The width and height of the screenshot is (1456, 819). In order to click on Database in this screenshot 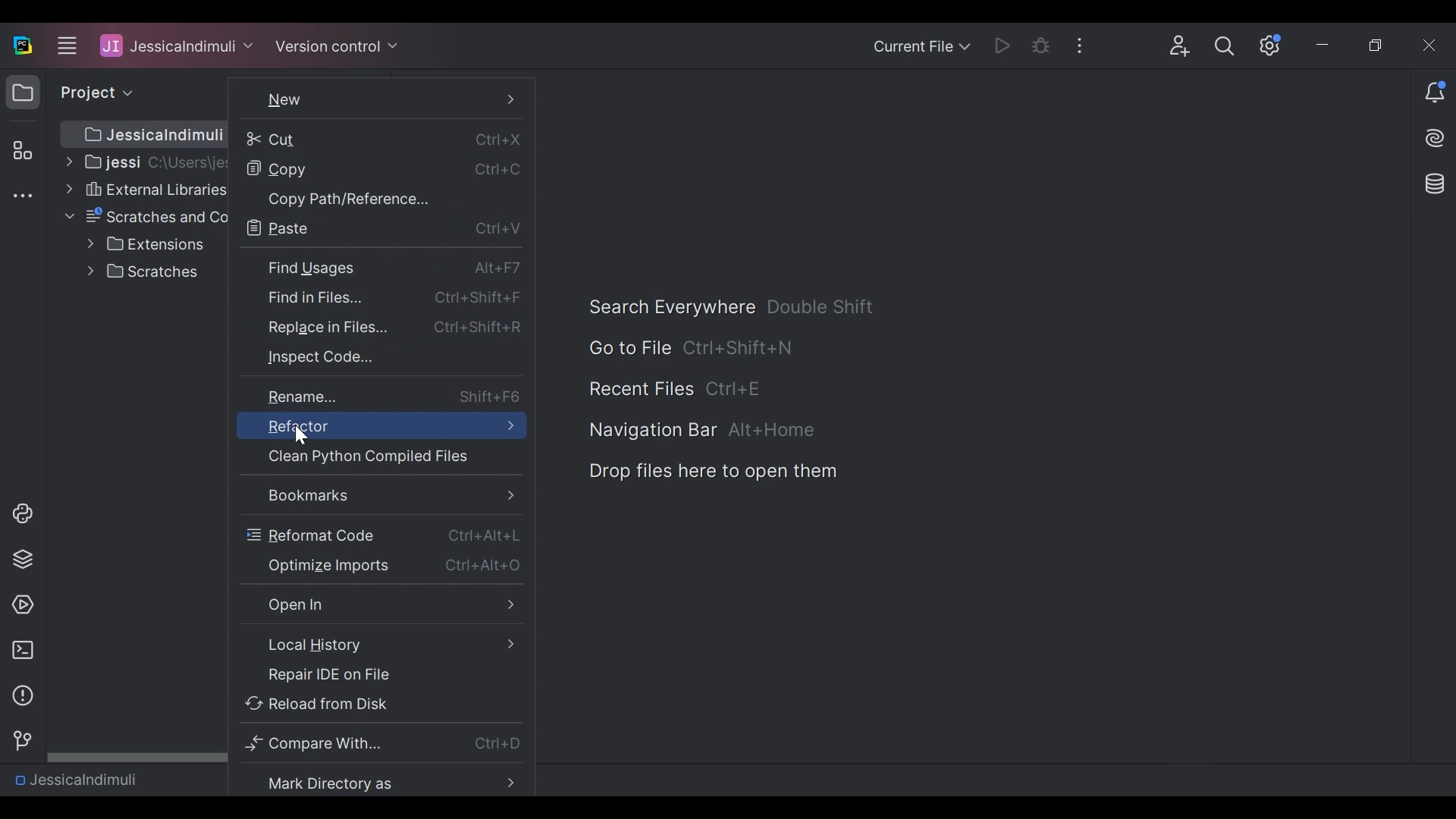, I will do `click(1432, 183)`.